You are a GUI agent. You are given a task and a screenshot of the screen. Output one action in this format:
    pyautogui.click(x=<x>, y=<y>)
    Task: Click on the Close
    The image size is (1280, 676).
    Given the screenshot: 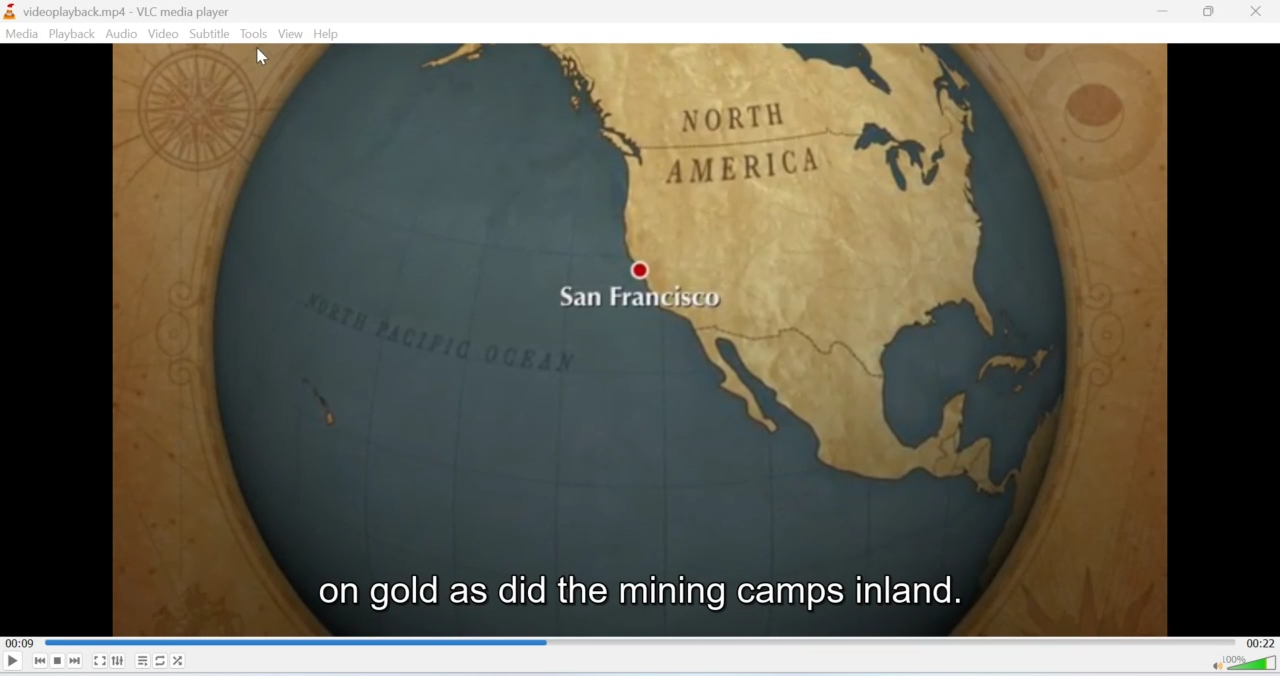 What is the action you would take?
    pyautogui.click(x=1262, y=10)
    